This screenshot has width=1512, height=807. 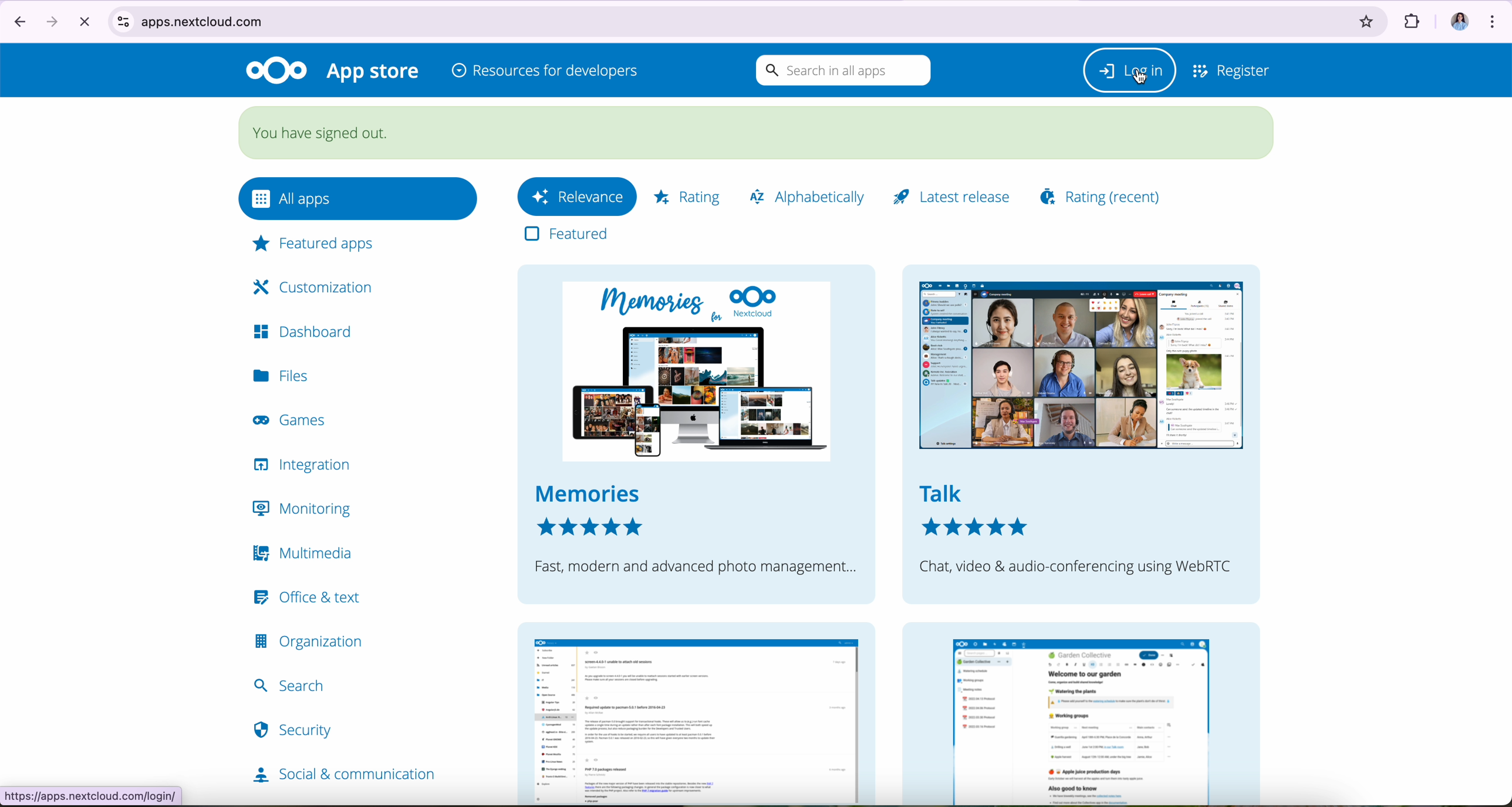 What do you see at coordinates (1455, 21) in the screenshot?
I see `image profile` at bounding box center [1455, 21].